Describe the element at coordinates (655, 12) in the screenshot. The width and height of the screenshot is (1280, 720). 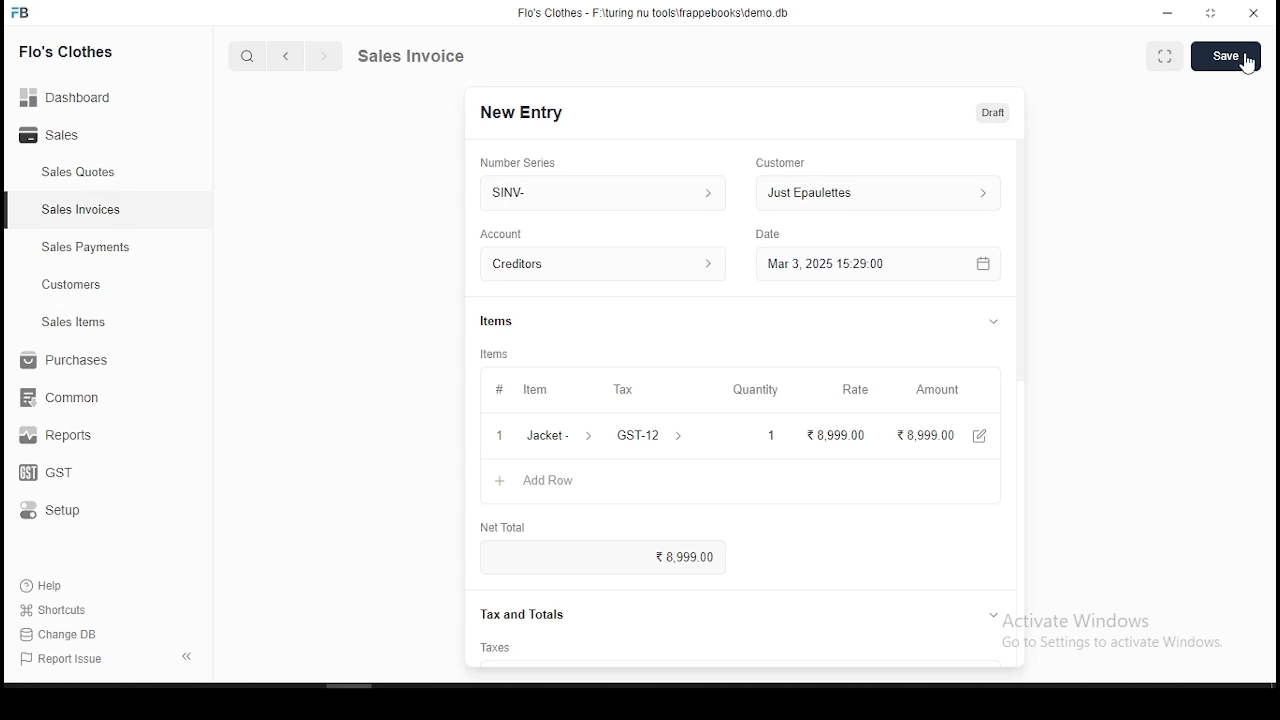
I see `Flo's Clothes - F-\turing nu tools\frappebooks\demo db` at that location.